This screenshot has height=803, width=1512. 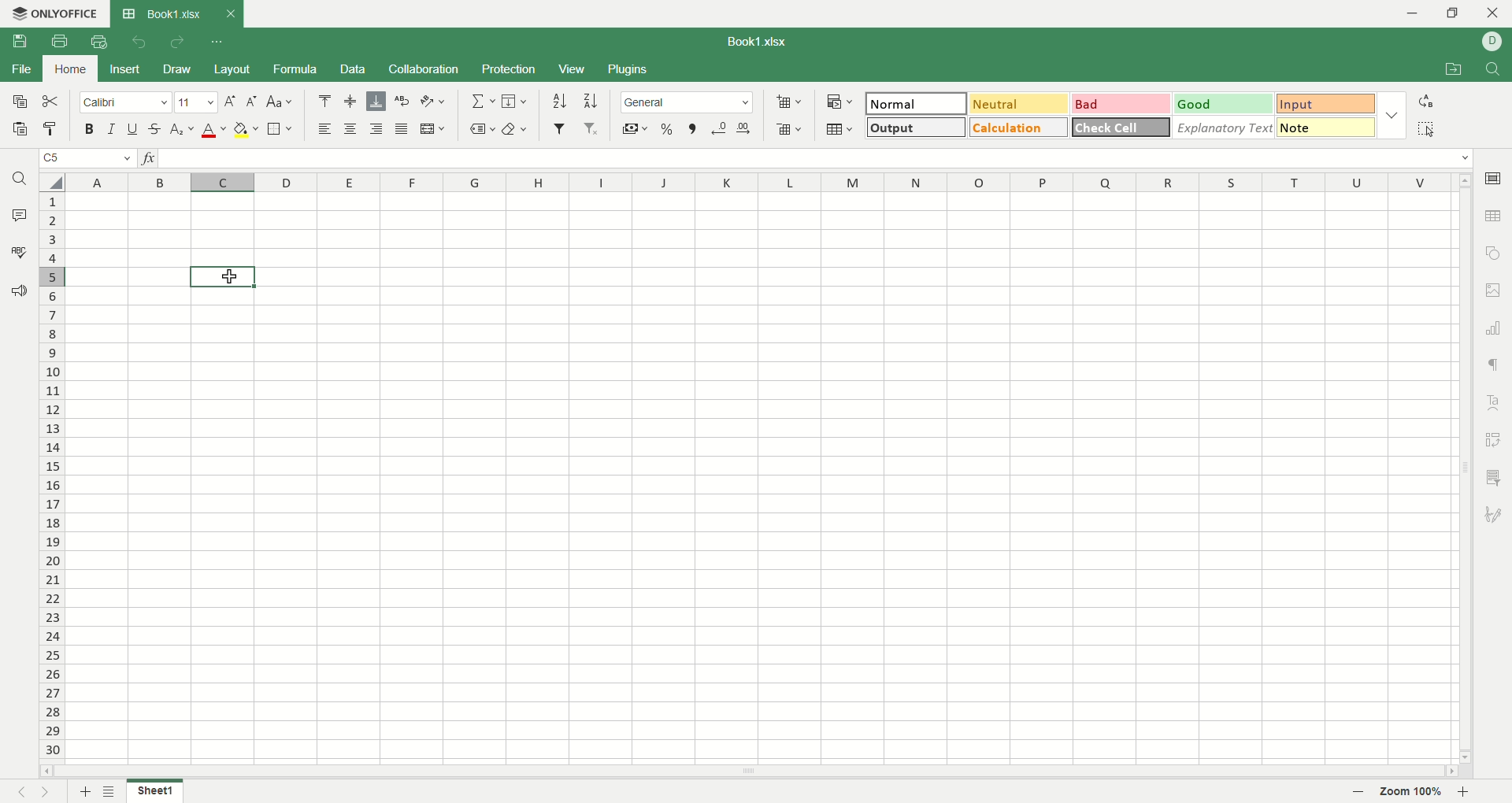 What do you see at coordinates (1415, 792) in the screenshot?
I see `zoom factor` at bounding box center [1415, 792].